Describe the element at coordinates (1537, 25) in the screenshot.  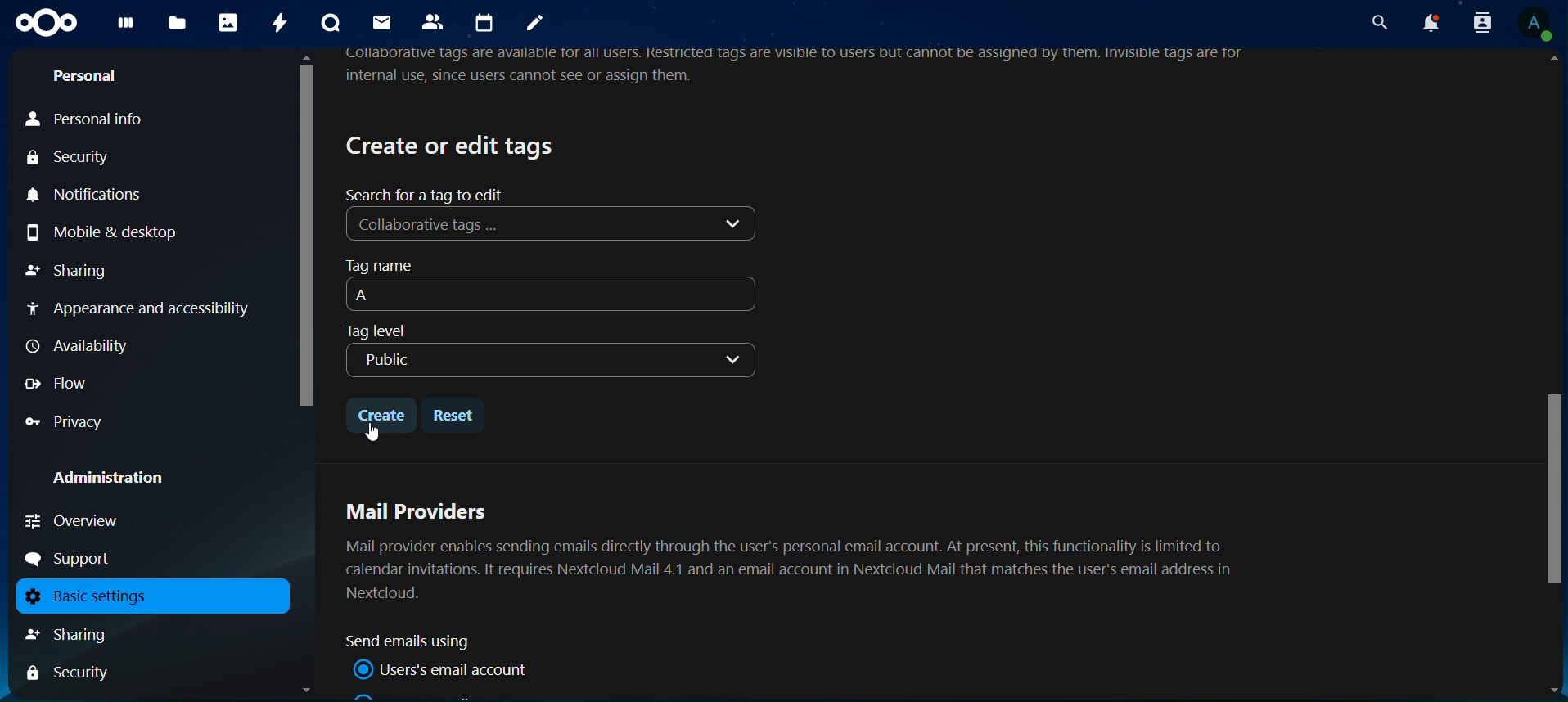
I see `View Profile` at that location.